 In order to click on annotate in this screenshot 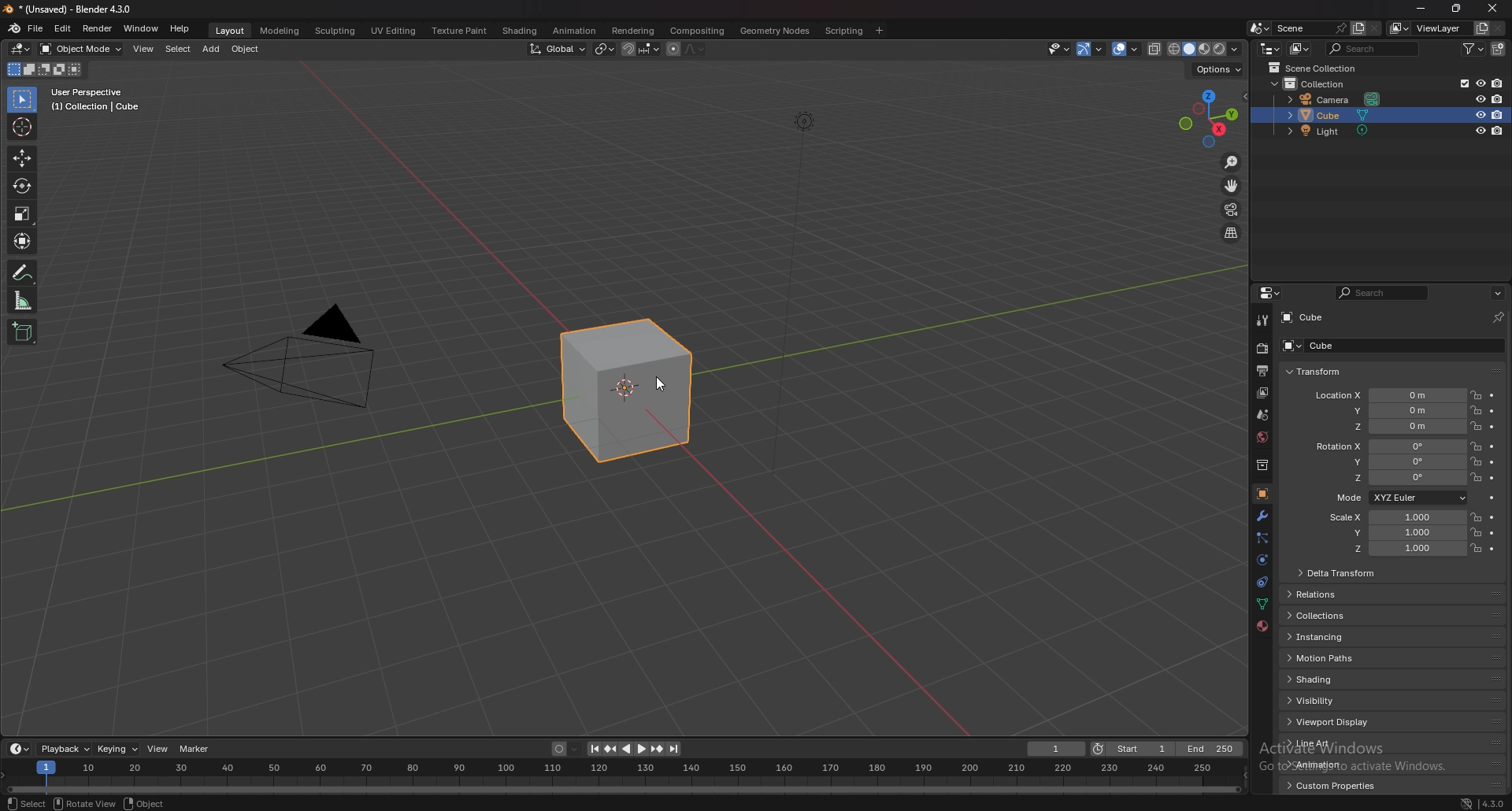, I will do `click(24, 272)`.